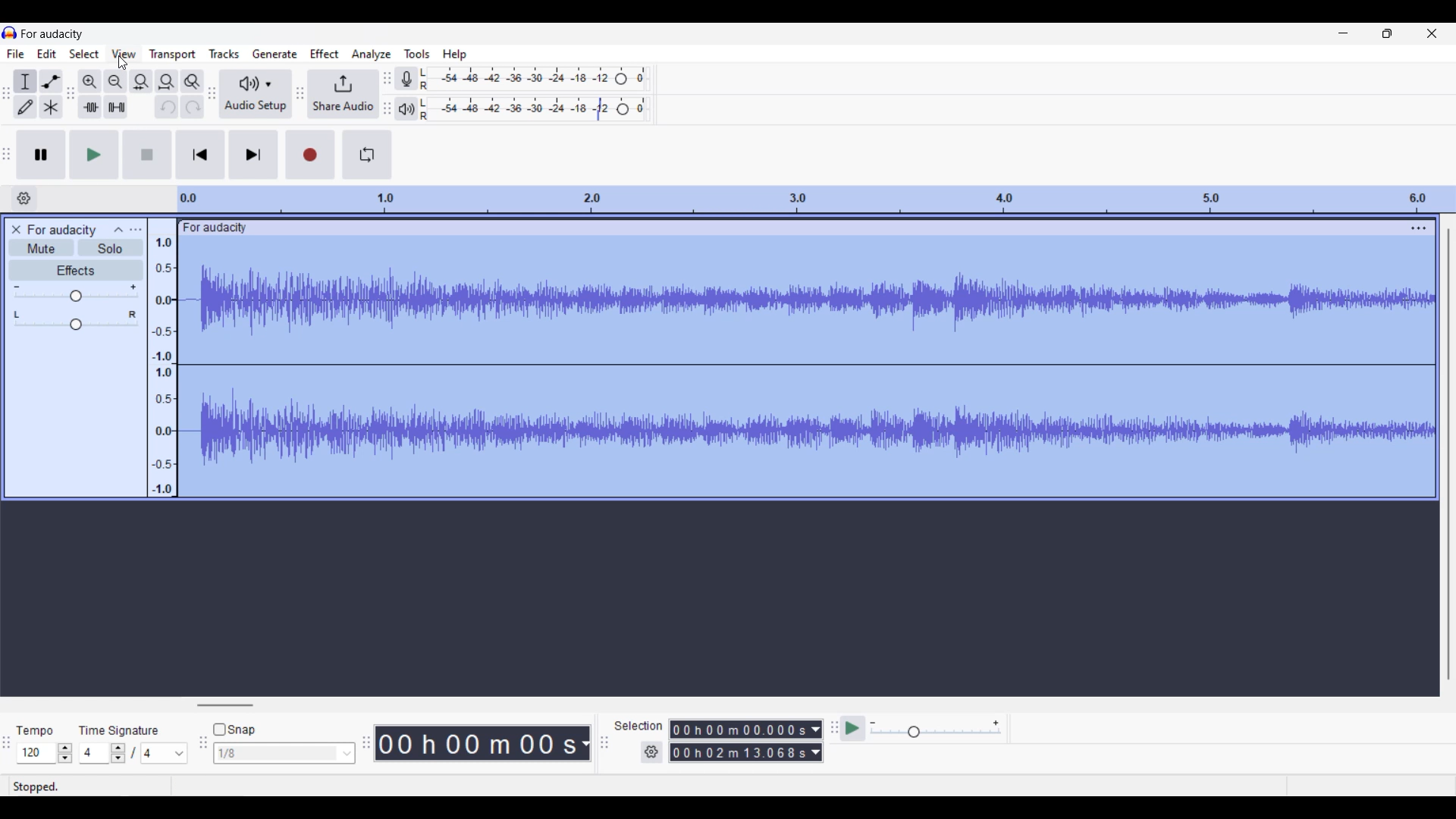  Describe the element at coordinates (167, 107) in the screenshot. I see `Undo` at that location.